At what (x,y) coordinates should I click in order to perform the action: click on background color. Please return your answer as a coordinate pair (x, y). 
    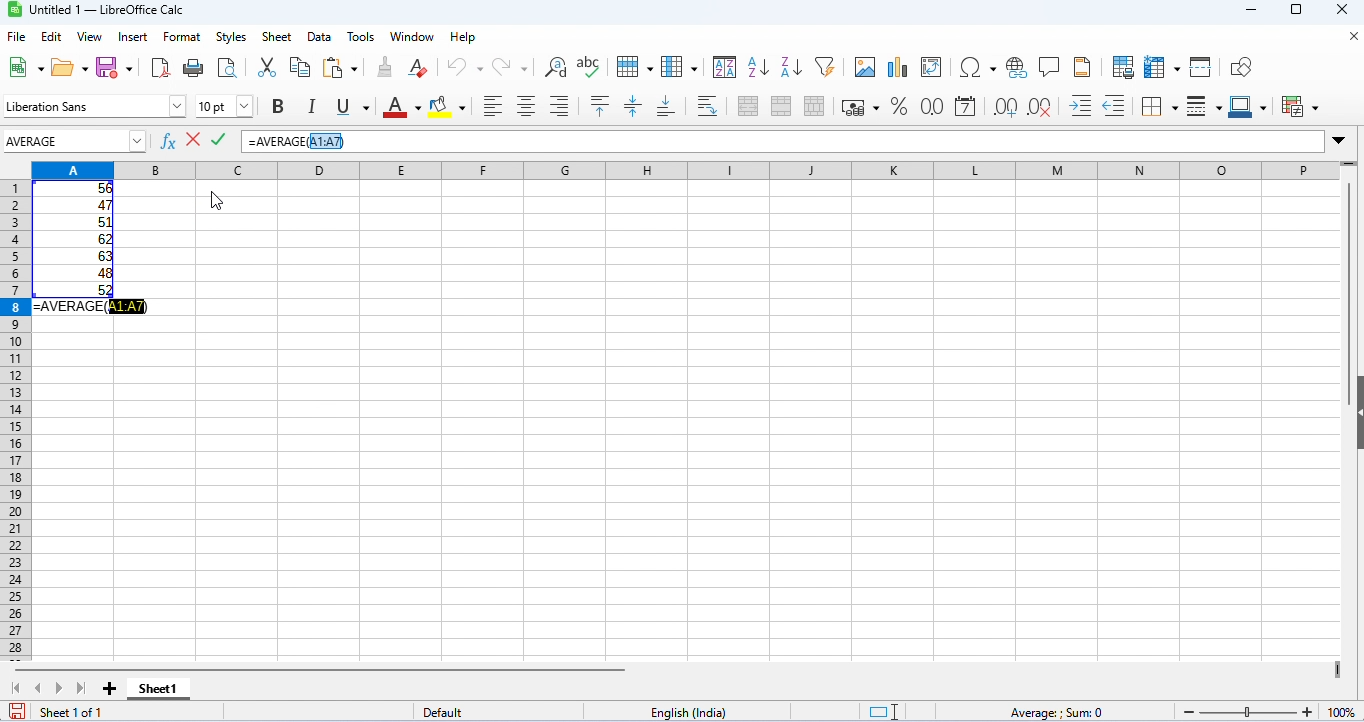
    Looking at the image, I should click on (448, 105).